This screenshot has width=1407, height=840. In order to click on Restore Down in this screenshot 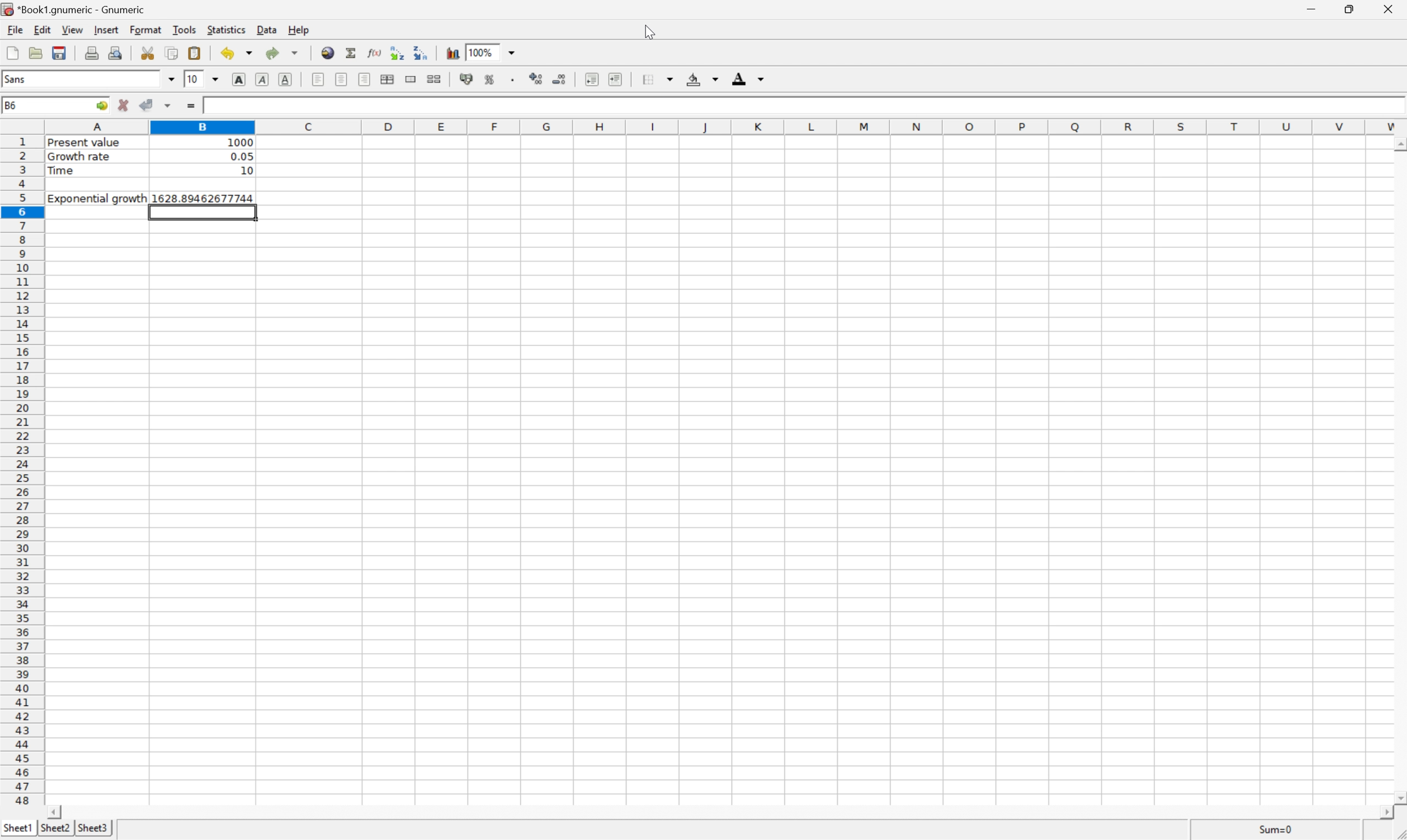, I will do `click(1353, 8)`.